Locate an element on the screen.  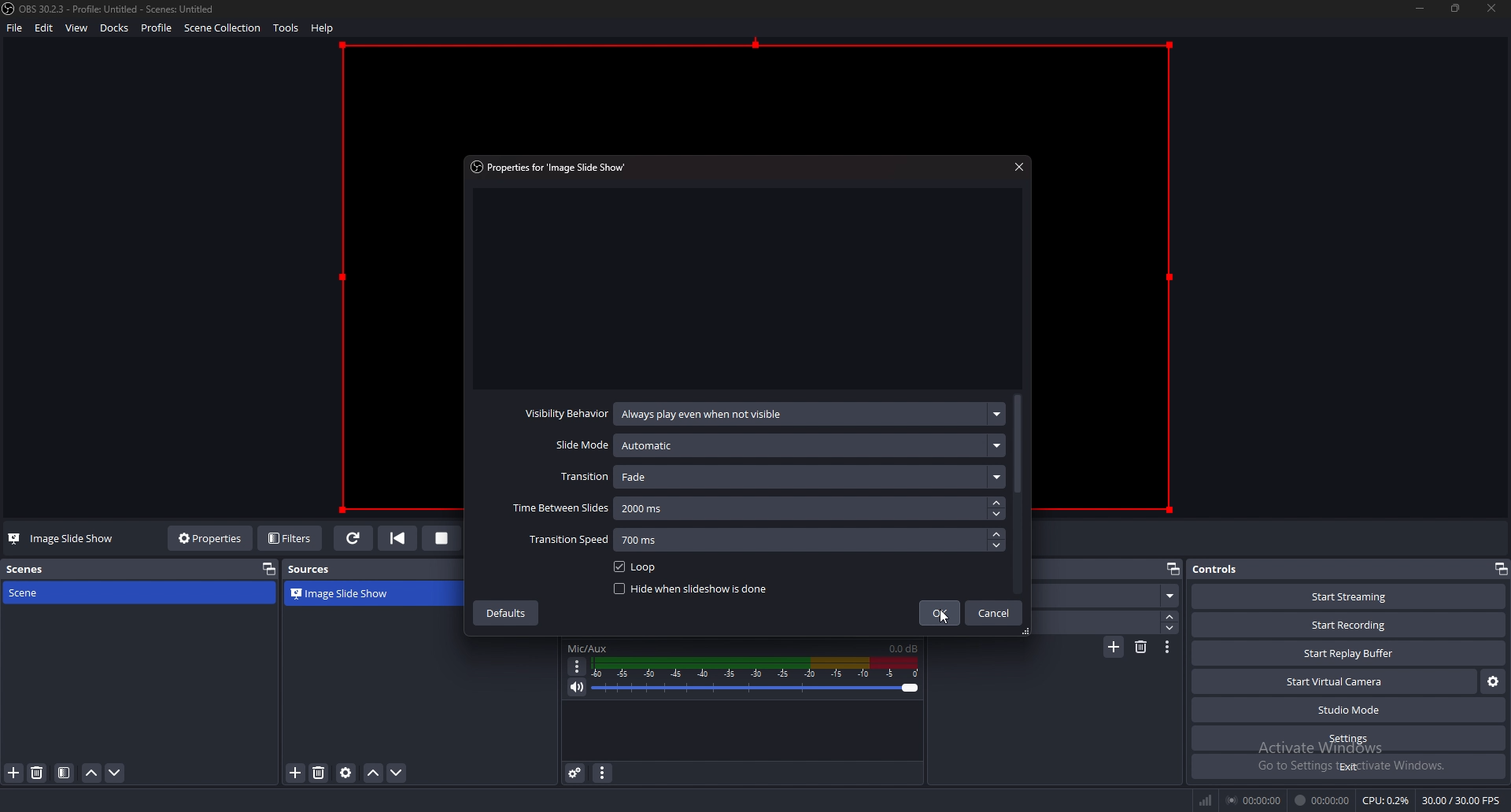
network is located at coordinates (1207, 801).